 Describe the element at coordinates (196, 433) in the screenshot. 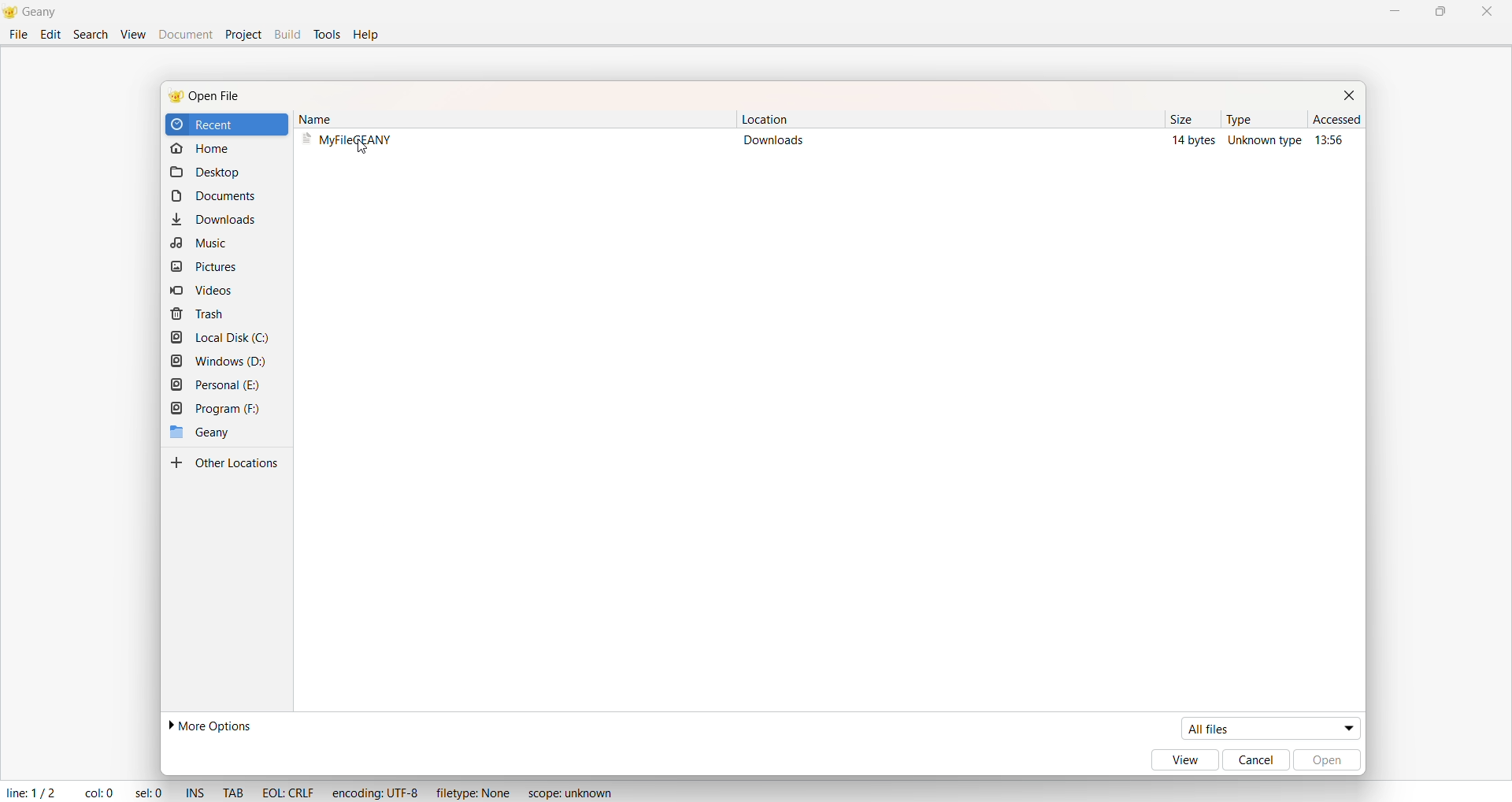

I see `Geany folder` at that location.